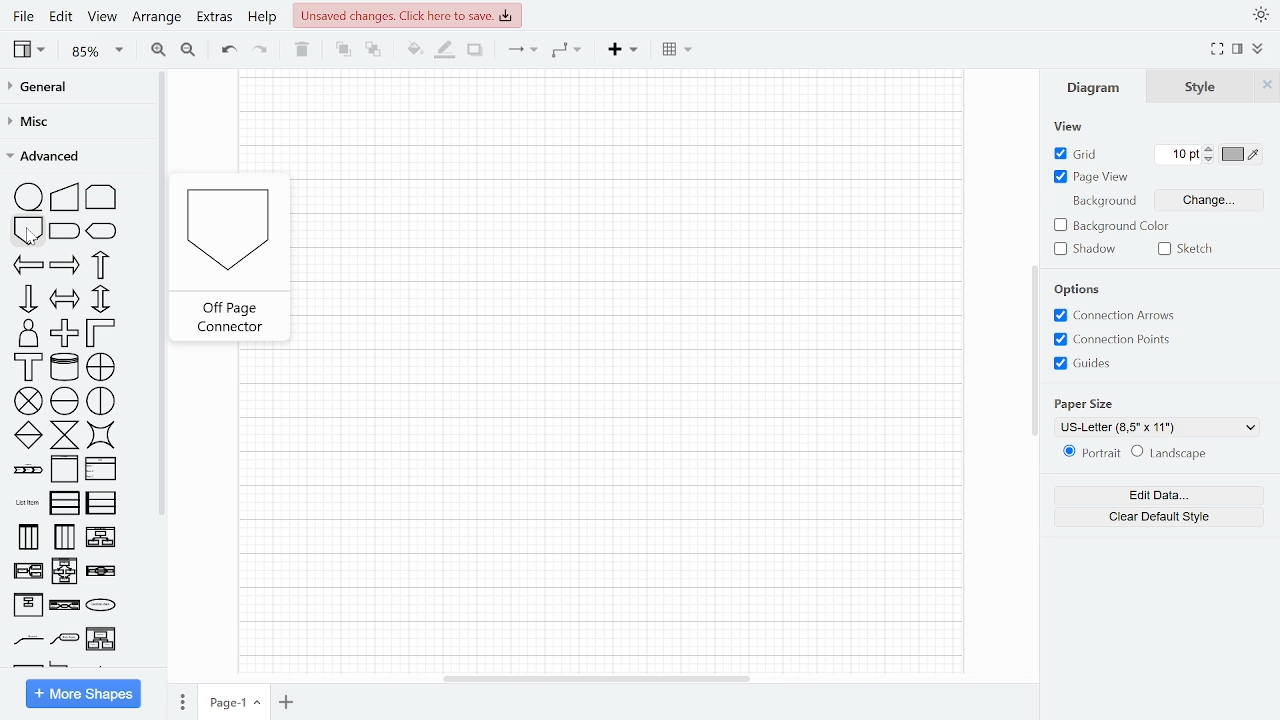 The width and height of the screenshot is (1280, 720). What do you see at coordinates (301, 51) in the screenshot?
I see `Delete` at bounding box center [301, 51].